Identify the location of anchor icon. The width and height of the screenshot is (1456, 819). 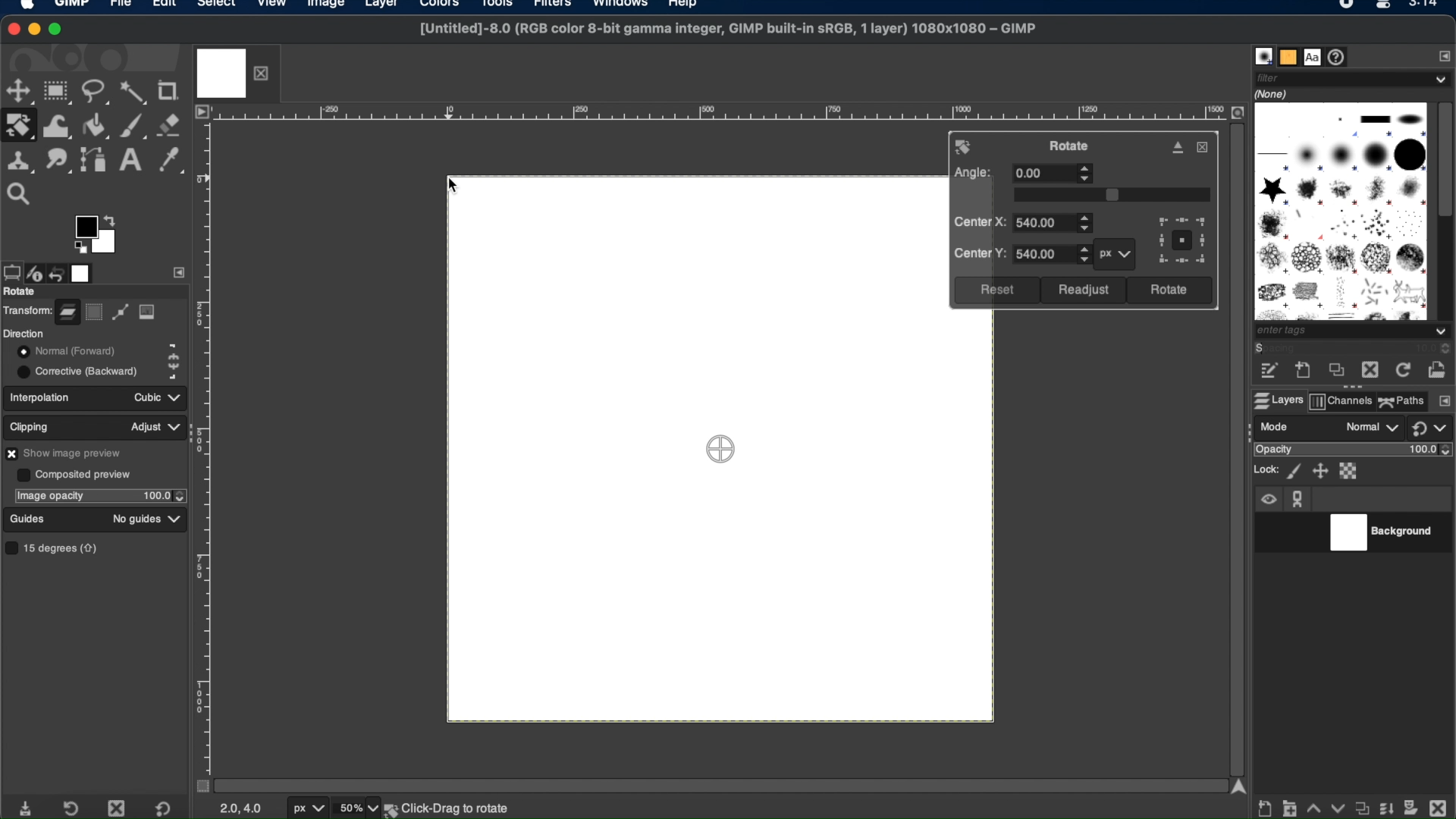
(1299, 499).